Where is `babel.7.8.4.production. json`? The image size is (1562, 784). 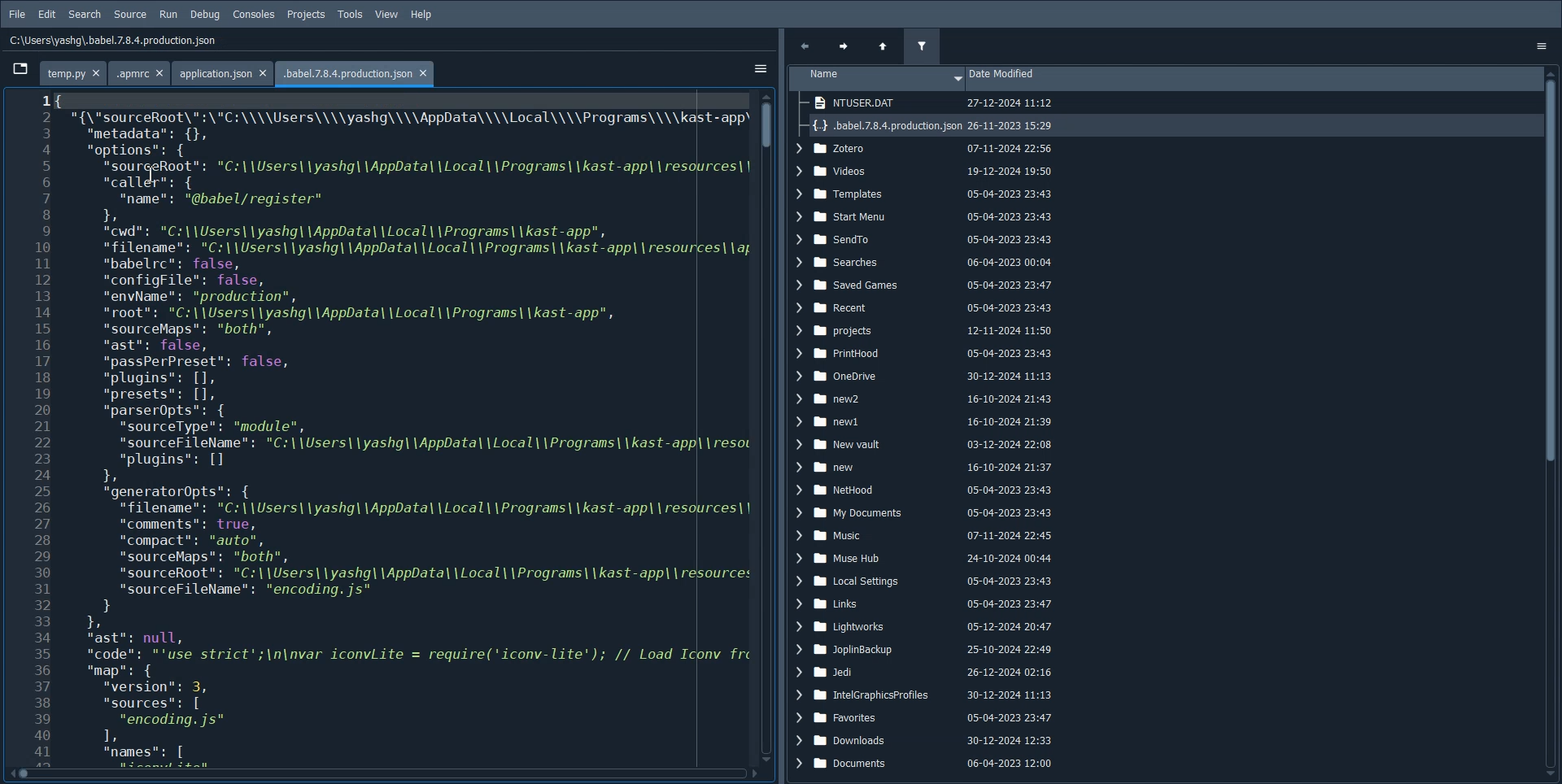 babel.7.8.4.production. json is located at coordinates (350, 72).